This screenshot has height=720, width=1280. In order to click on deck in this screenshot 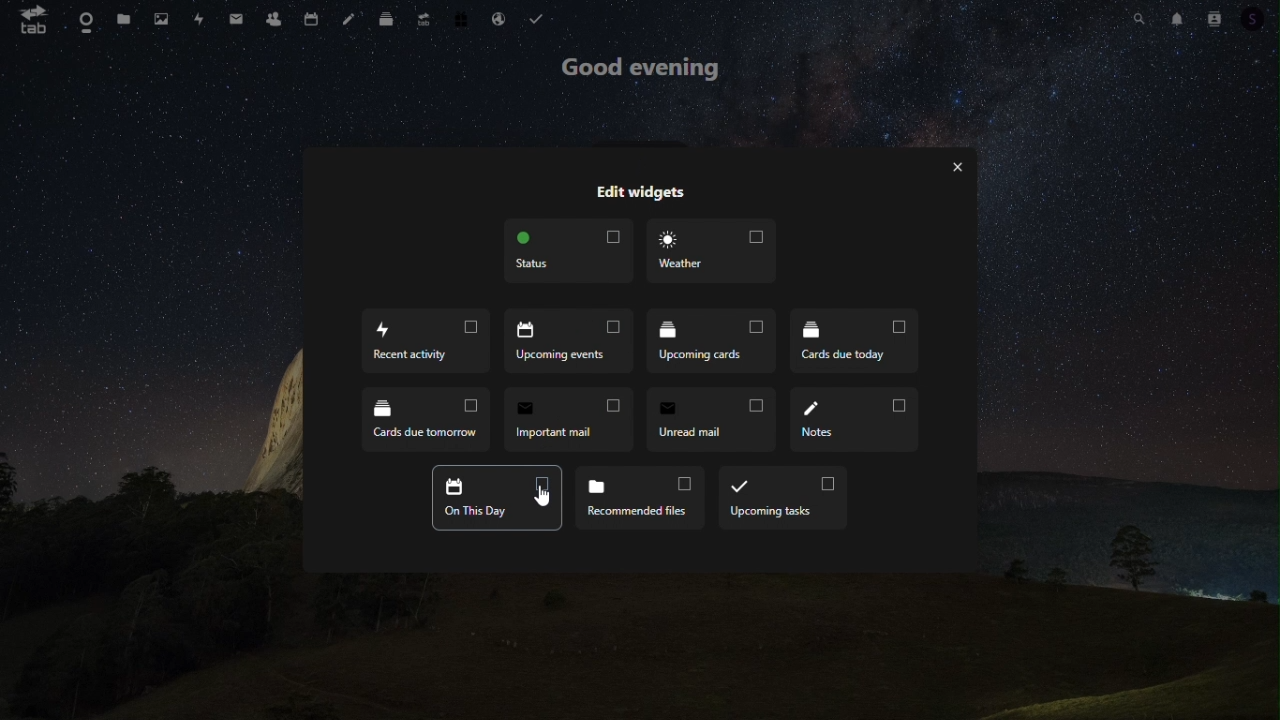, I will do `click(390, 19)`.